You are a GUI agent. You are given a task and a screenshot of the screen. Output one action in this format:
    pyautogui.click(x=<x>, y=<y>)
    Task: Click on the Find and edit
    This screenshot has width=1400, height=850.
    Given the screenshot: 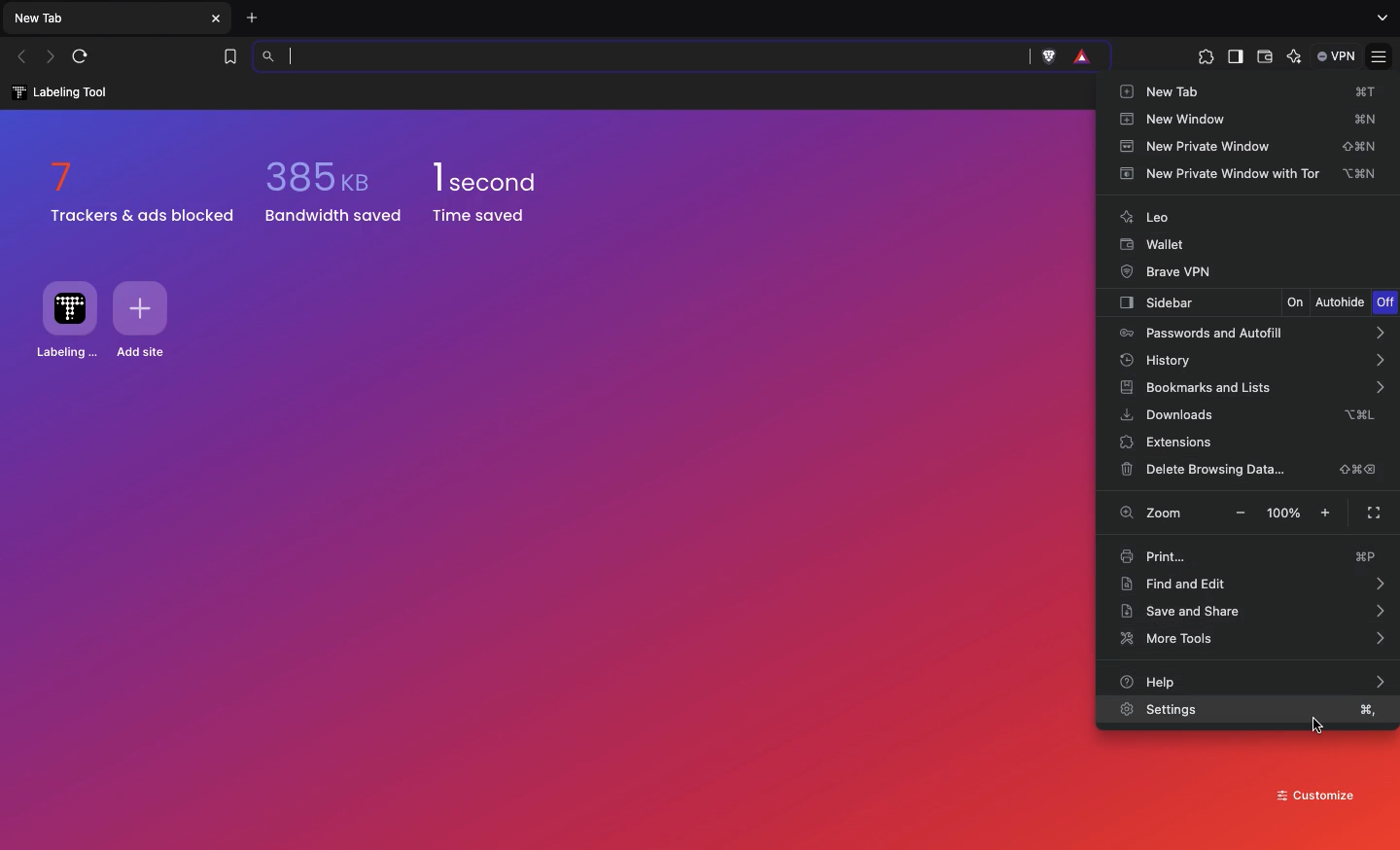 What is the action you would take?
    pyautogui.click(x=1256, y=585)
    